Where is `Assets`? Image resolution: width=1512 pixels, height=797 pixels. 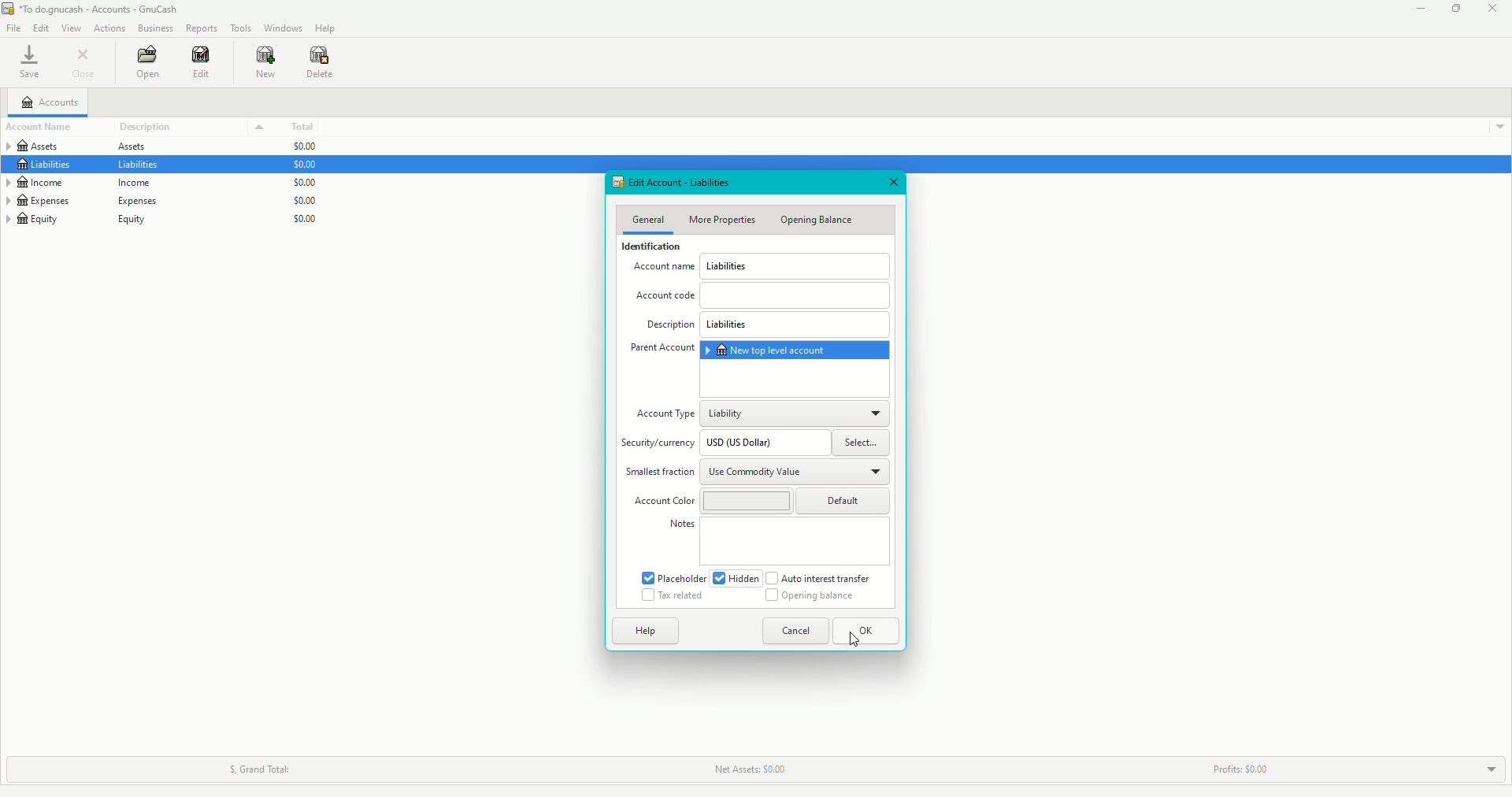
Assets is located at coordinates (87, 146).